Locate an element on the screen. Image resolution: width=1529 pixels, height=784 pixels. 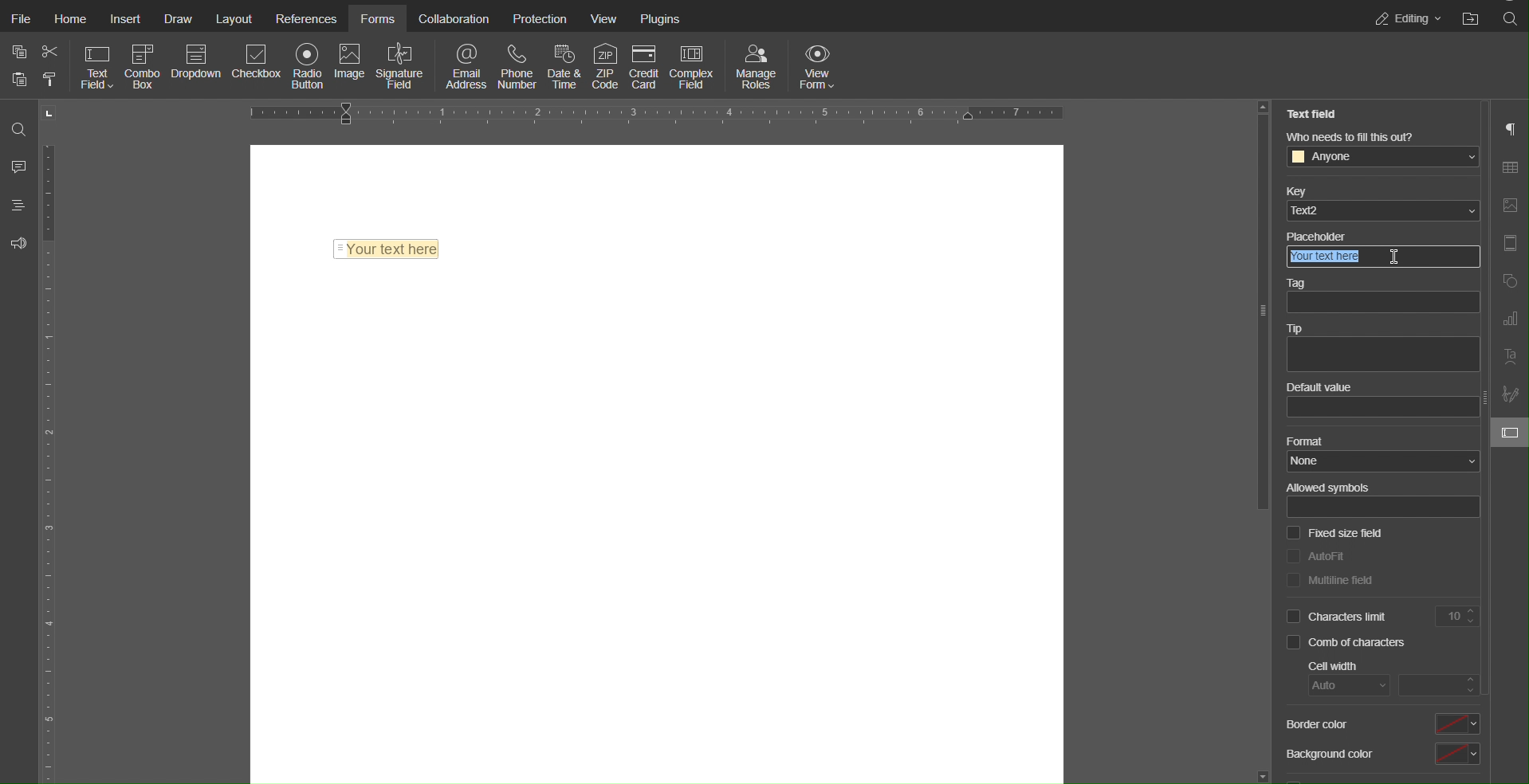
Shape Settings is located at coordinates (1508, 282).